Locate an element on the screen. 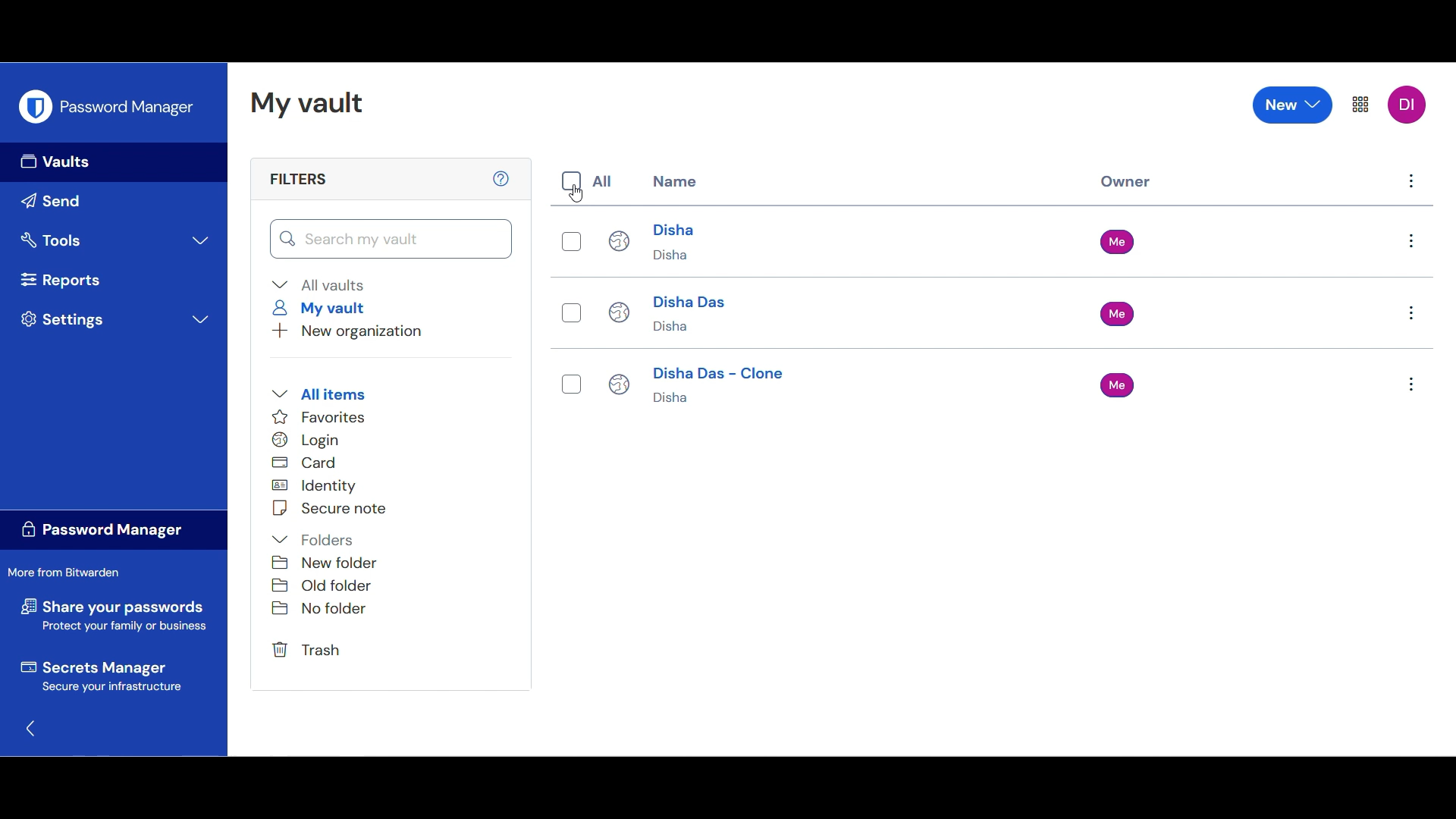 Image resolution: width=1456 pixels, height=819 pixels. Secure note is located at coordinates (328, 508).